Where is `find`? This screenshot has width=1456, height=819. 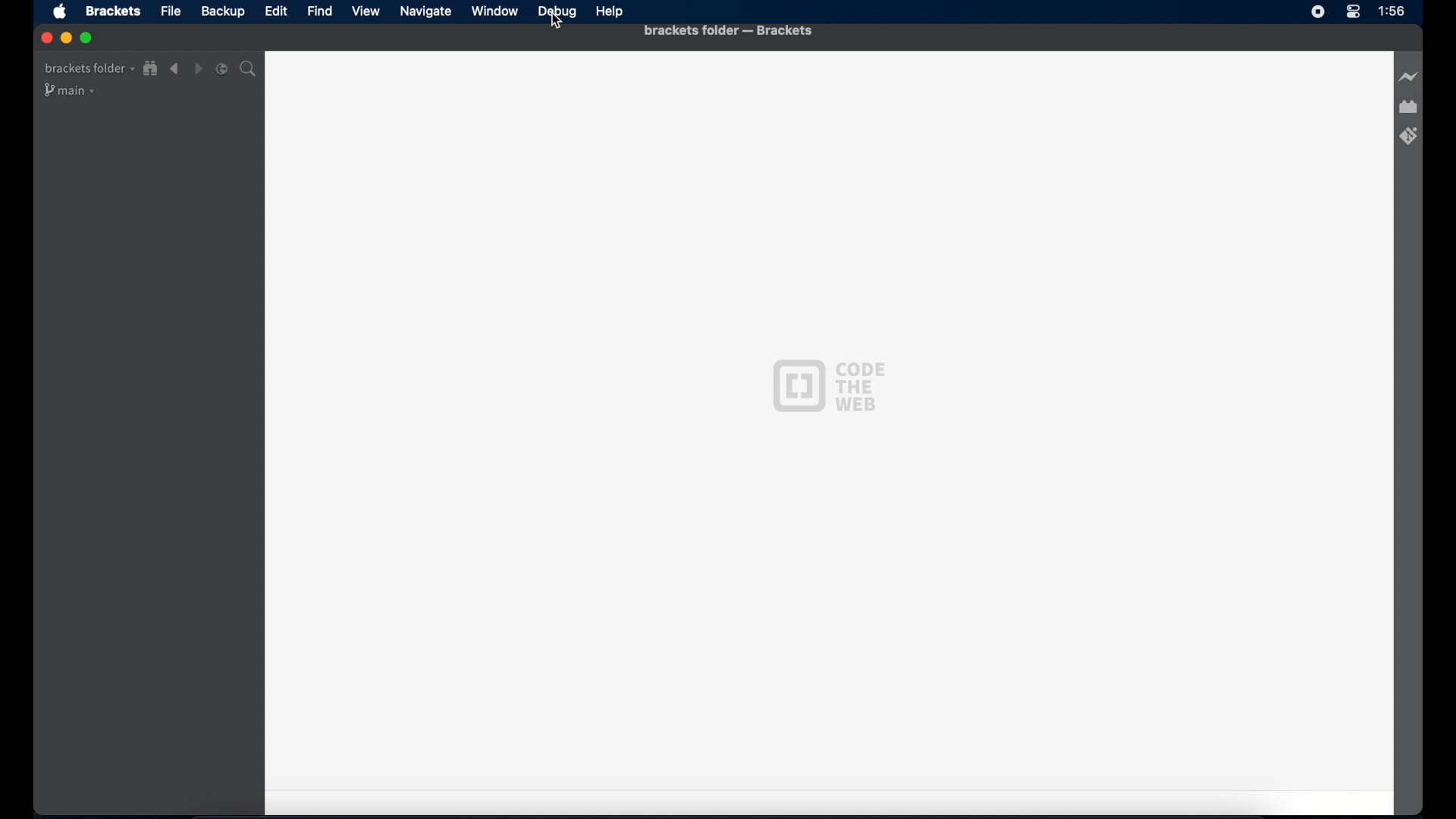 find is located at coordinates (320, 11).